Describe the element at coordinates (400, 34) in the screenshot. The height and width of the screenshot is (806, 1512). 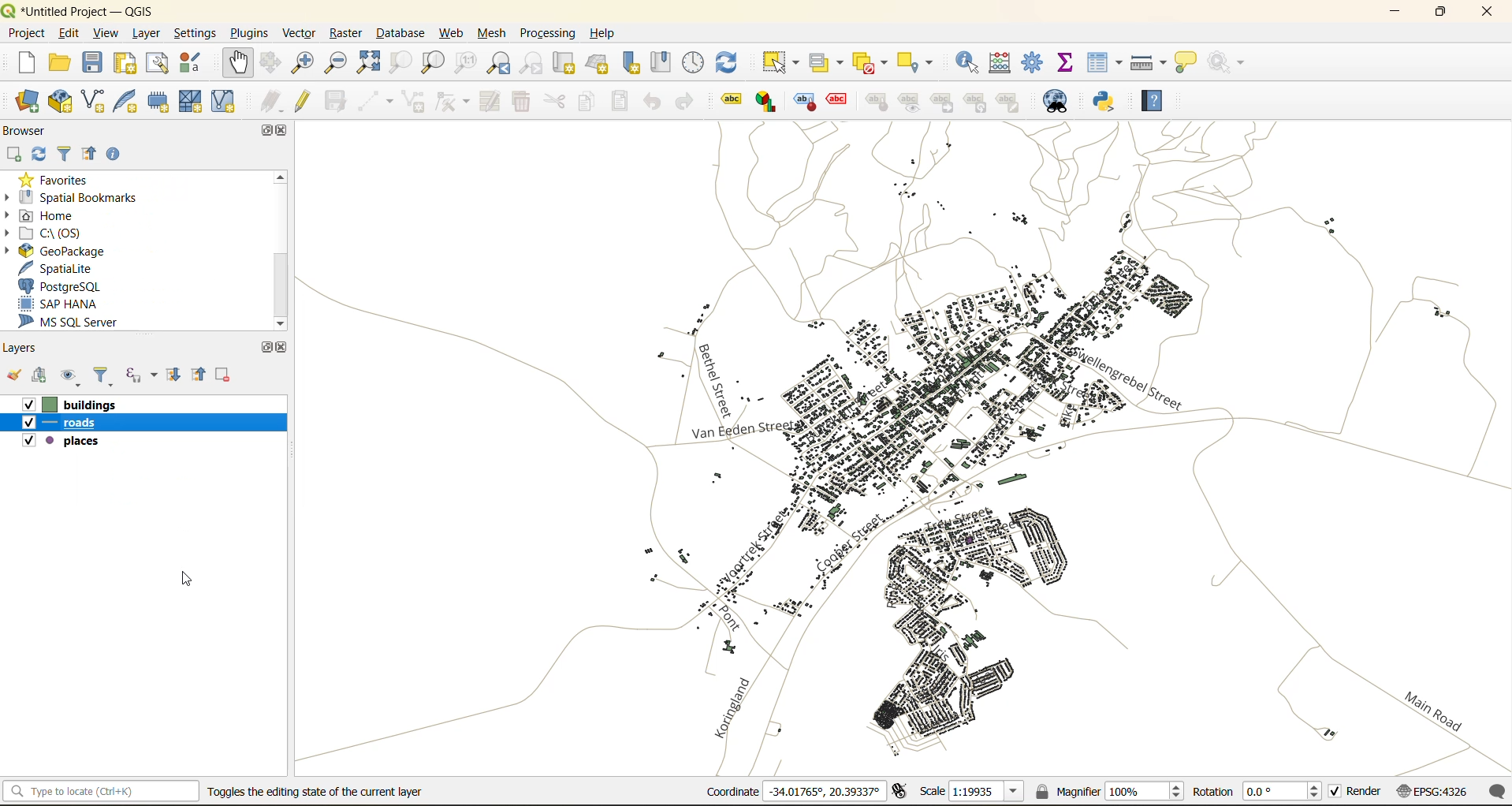
I see `database` at that location.